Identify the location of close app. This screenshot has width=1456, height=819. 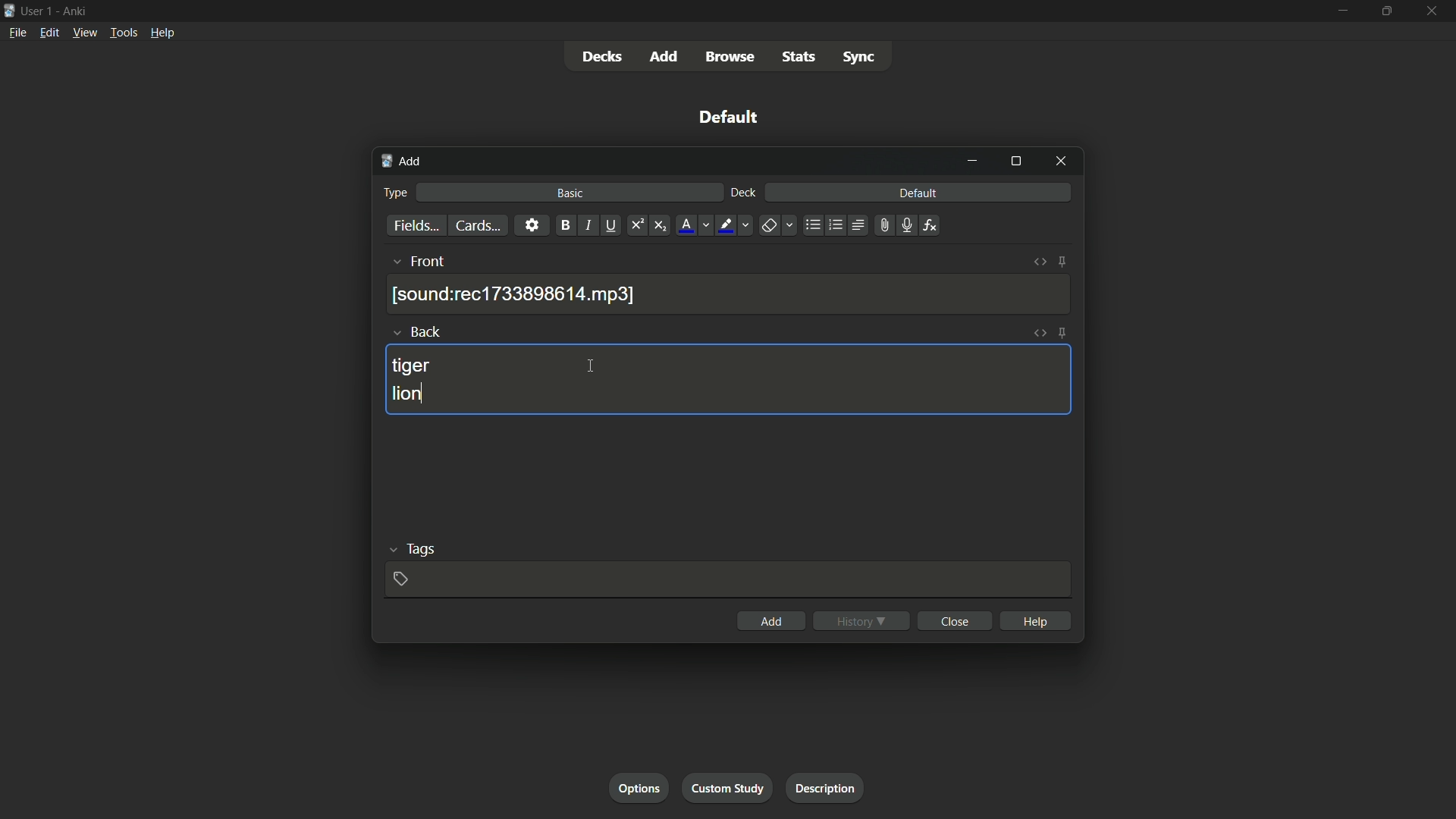
(1433, 11).